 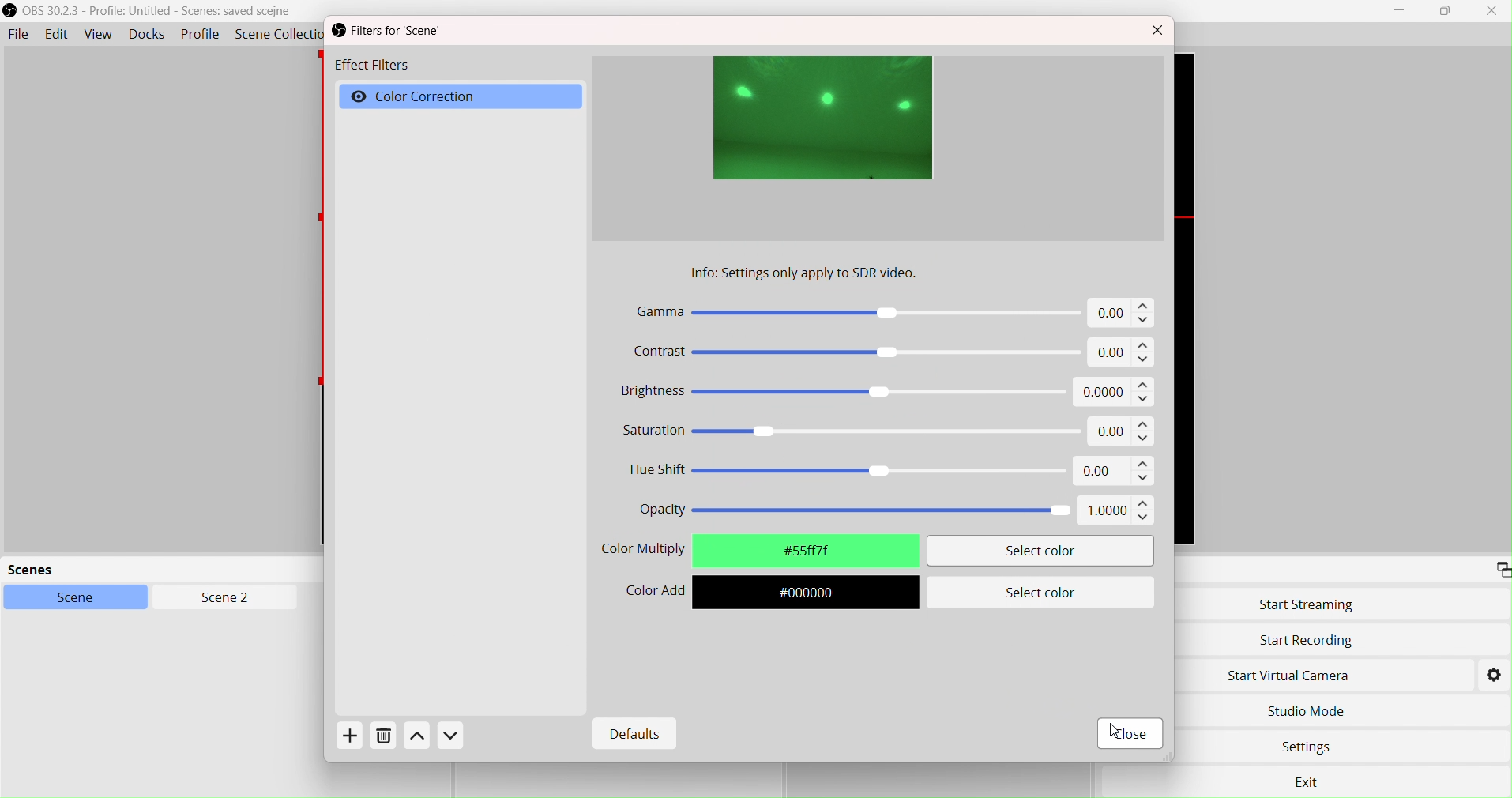 What do you see at coordinates (201, 36) in the screenshot?
I see `Profile` at bounding box center [201, 36].